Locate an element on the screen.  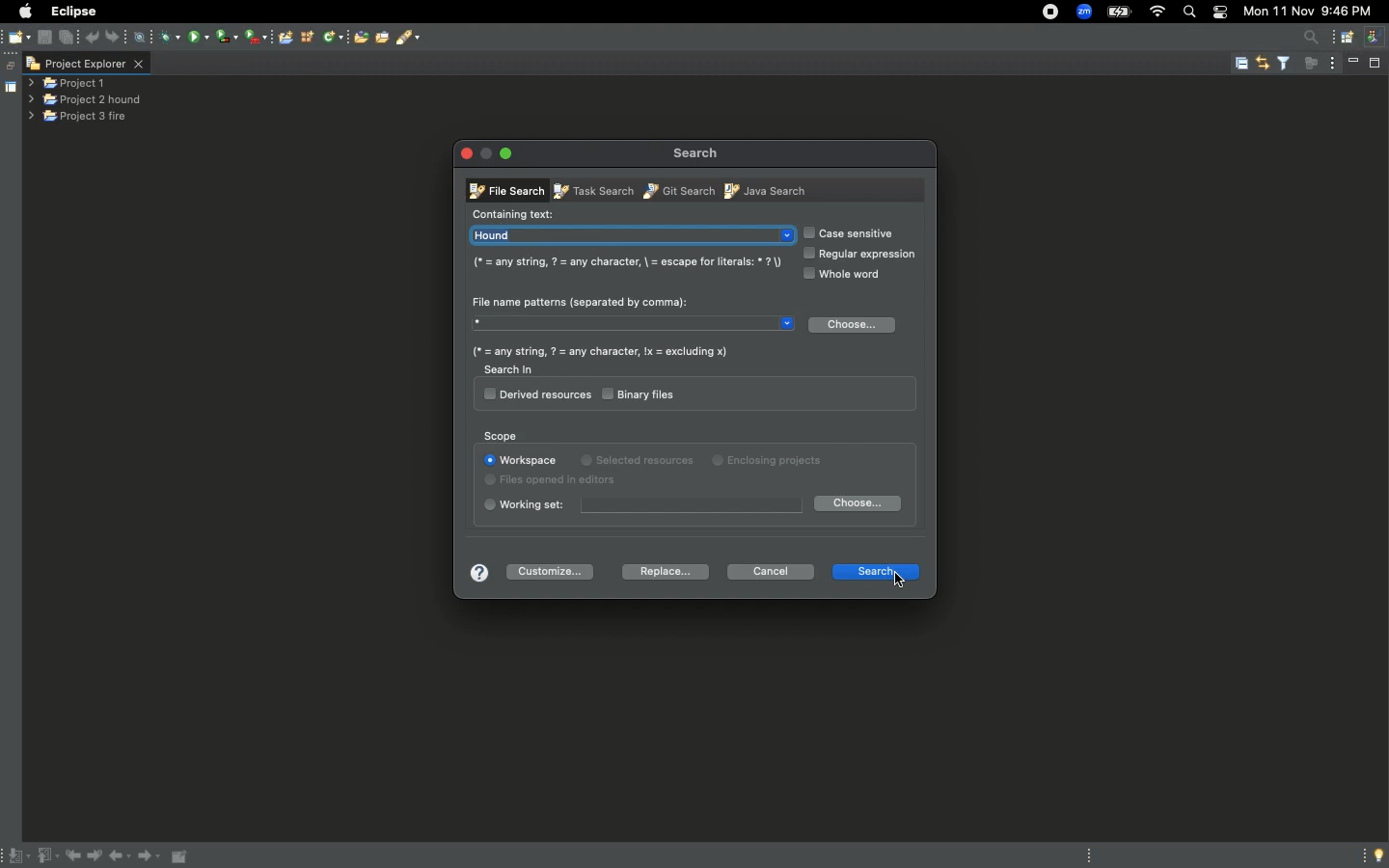
(* = any string, 7 = any character, \ = escape for literals: * 7) is located at coordinates (624, 262).